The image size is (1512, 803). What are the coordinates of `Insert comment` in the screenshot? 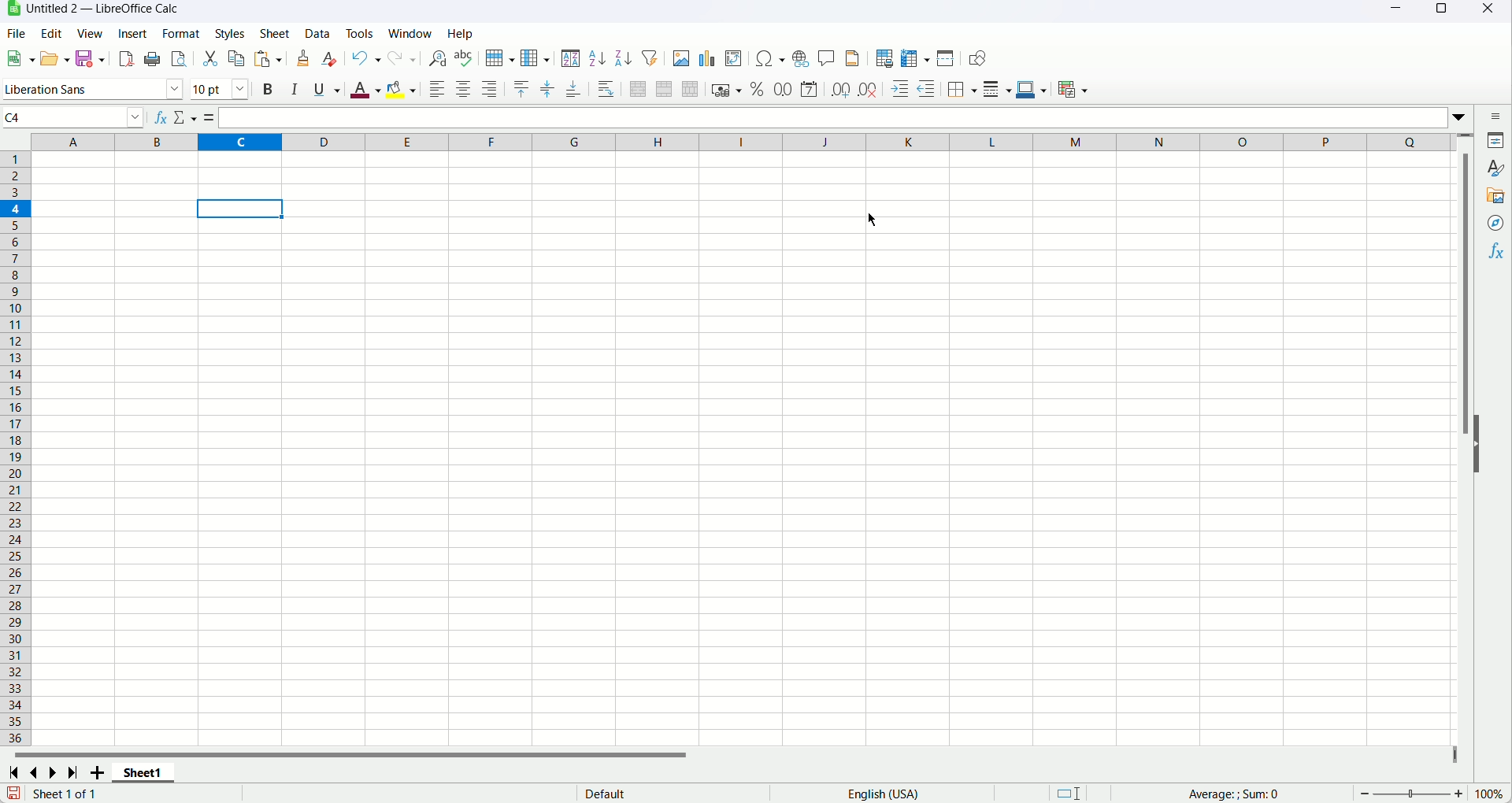 It's located at (826, 57).